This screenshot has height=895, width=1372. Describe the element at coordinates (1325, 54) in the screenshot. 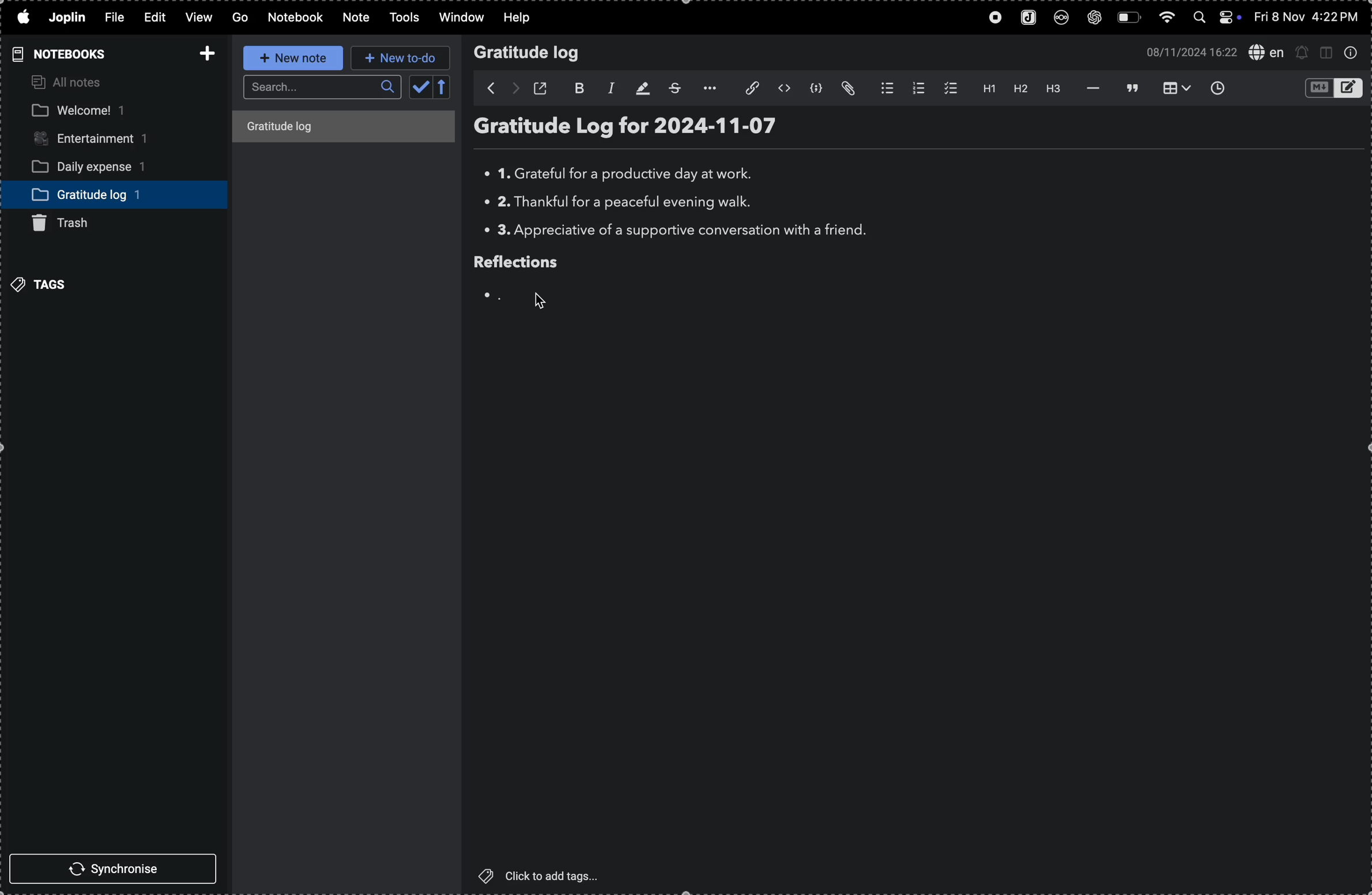

I see `toggle window` at that location.